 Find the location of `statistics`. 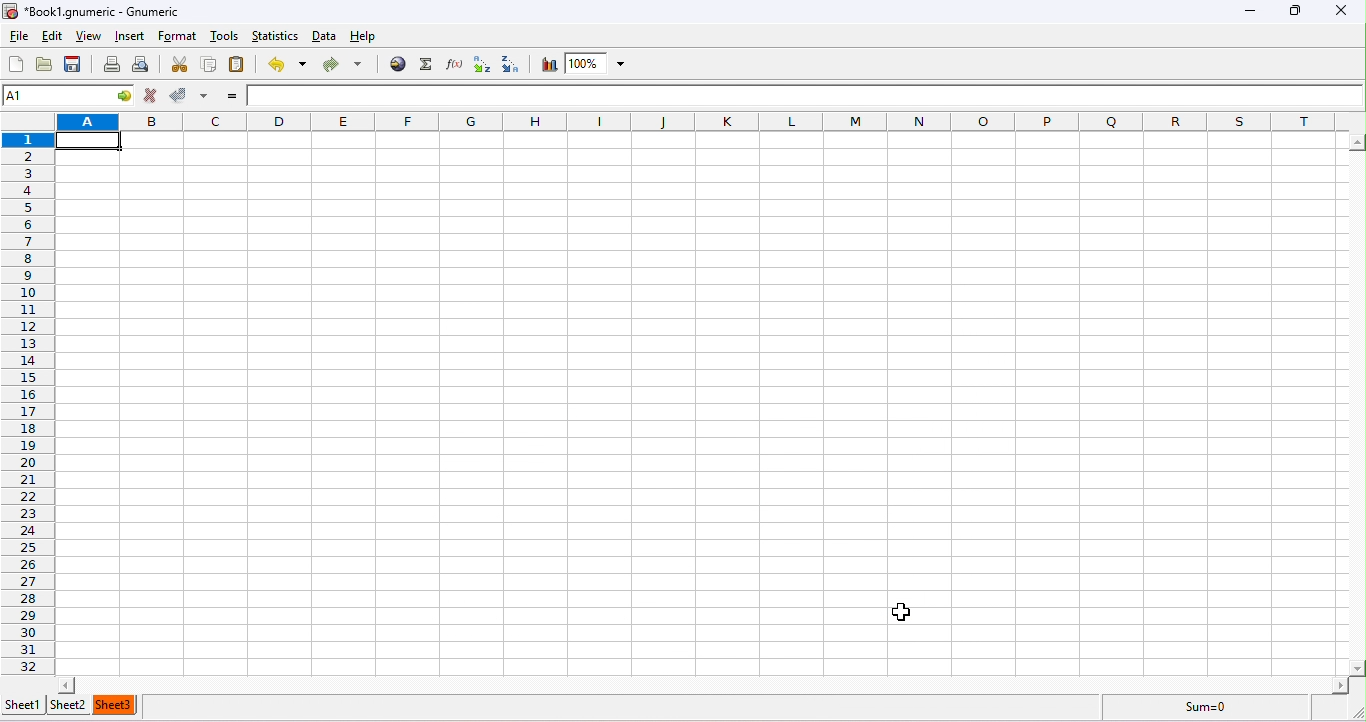

statistics is located at coordinates (277, 36).